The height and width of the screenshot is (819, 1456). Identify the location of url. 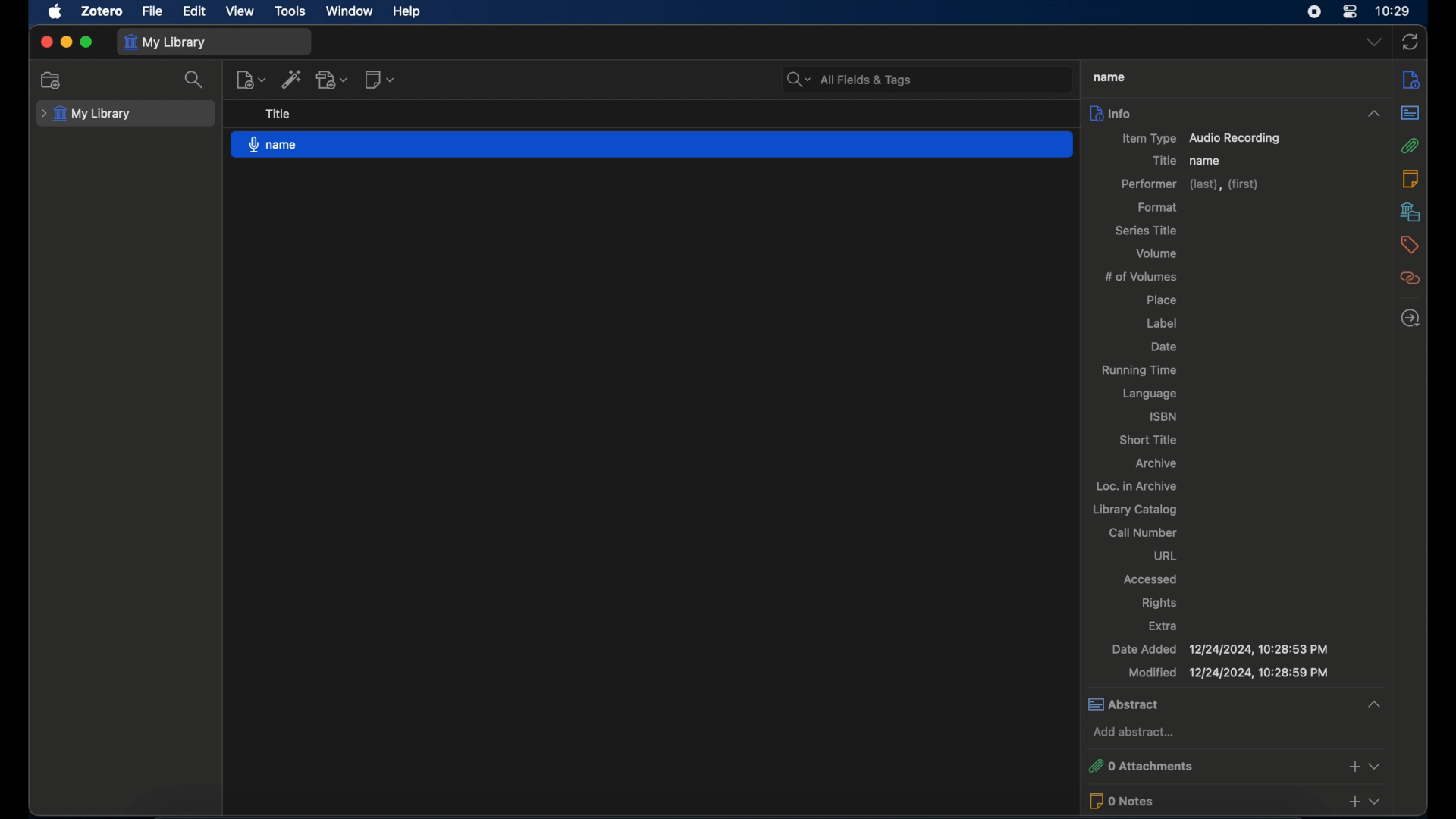
(1165, 557).